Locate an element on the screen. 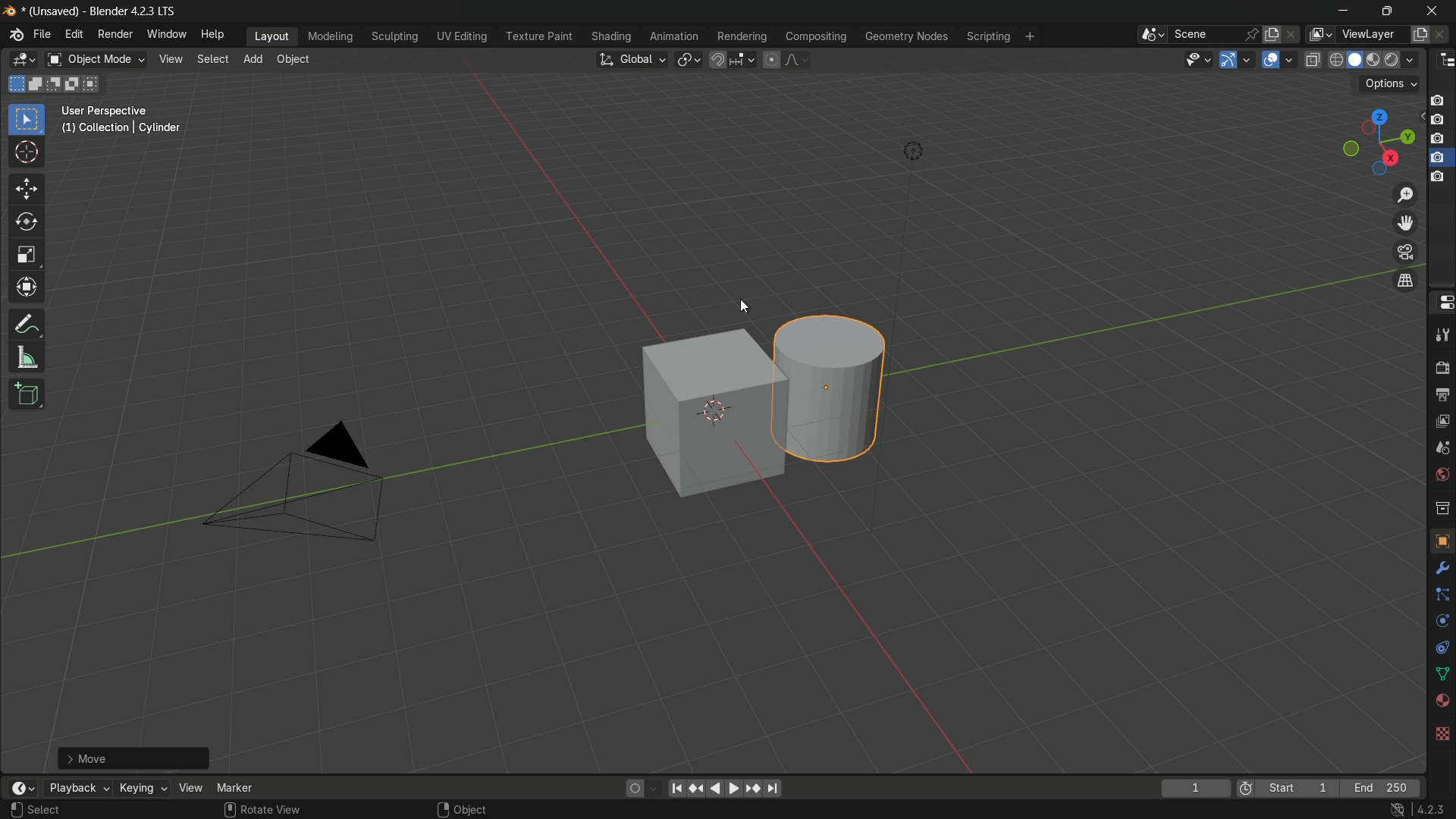 Image resolution: width=1456 pixels, height=819 pixels. object is located at coordinates (484, 809).